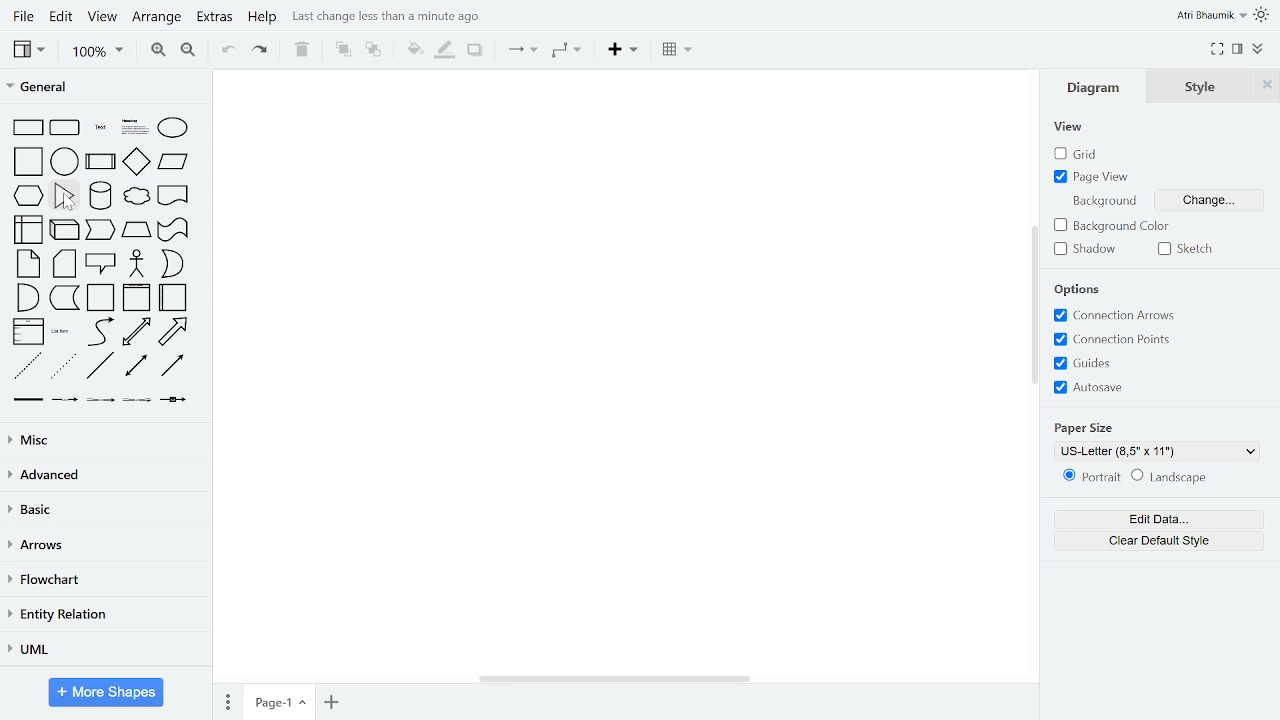 The height and width of the screenshot is (720, 1280). Describe the element at coordinates (1258, 50) in the screenshot. I see `collapse` at that location.